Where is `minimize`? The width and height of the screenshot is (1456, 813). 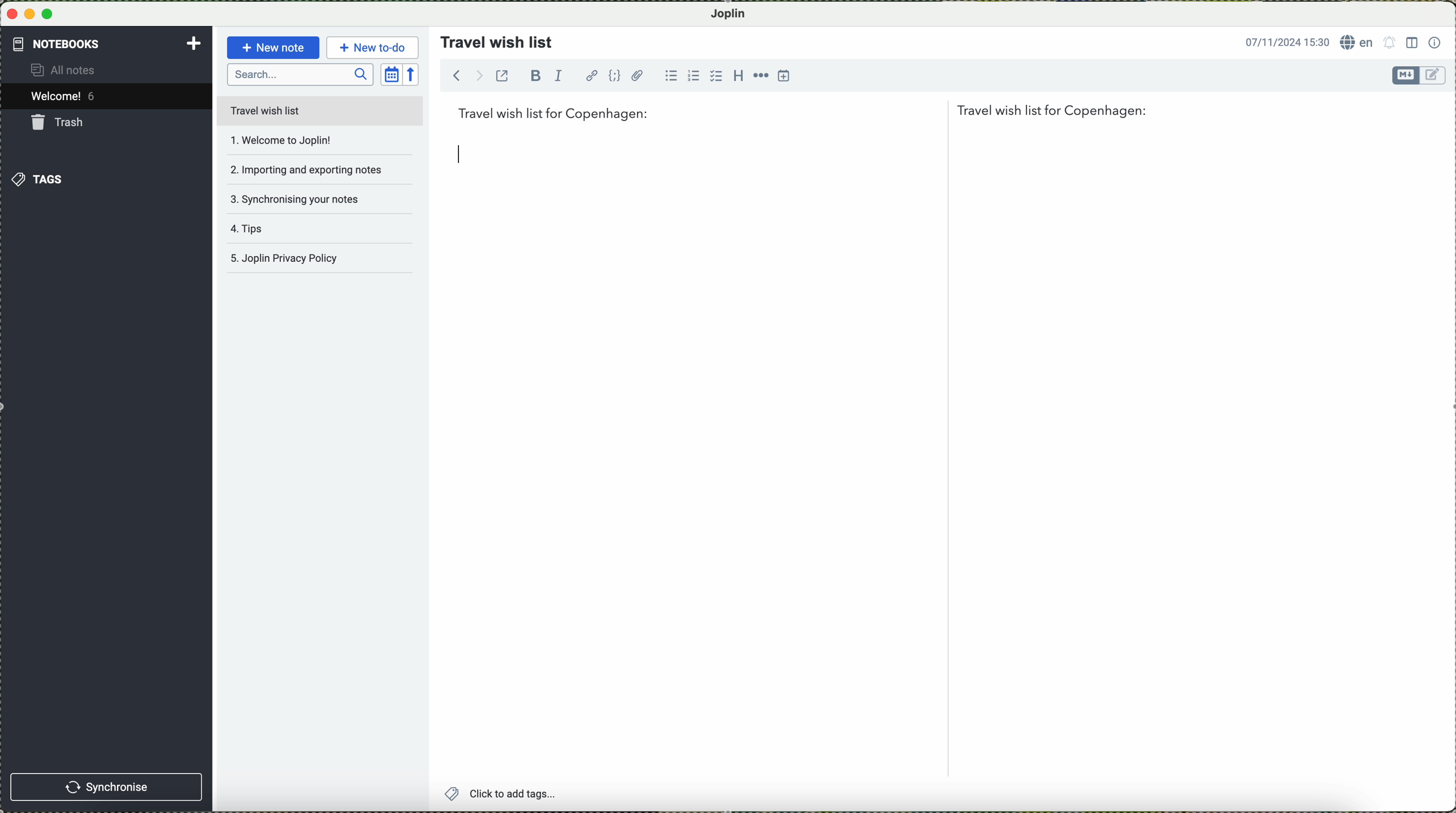
minimize is located at coordinates (31, 14).